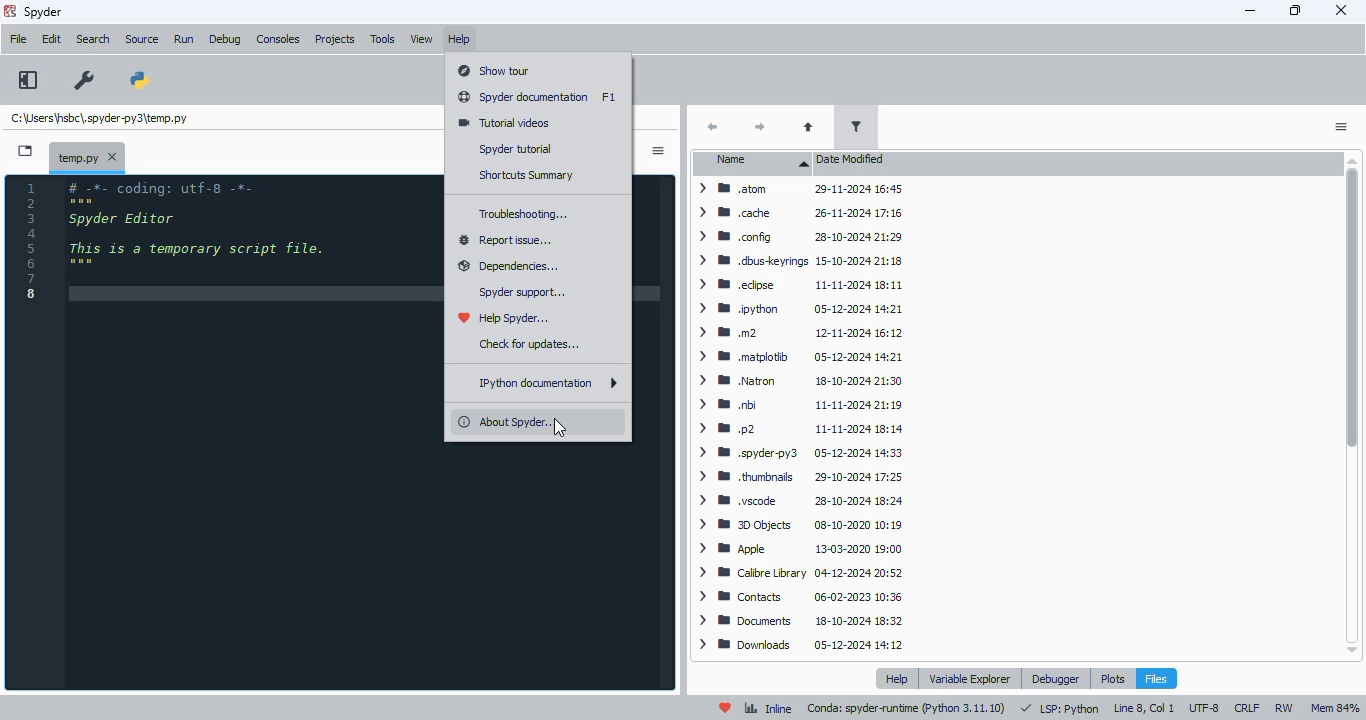 The width and height of the screenshot is (1366, 720). I want to click on > ®8 Documents 18-10-2024 18:32, so click(800, 620).